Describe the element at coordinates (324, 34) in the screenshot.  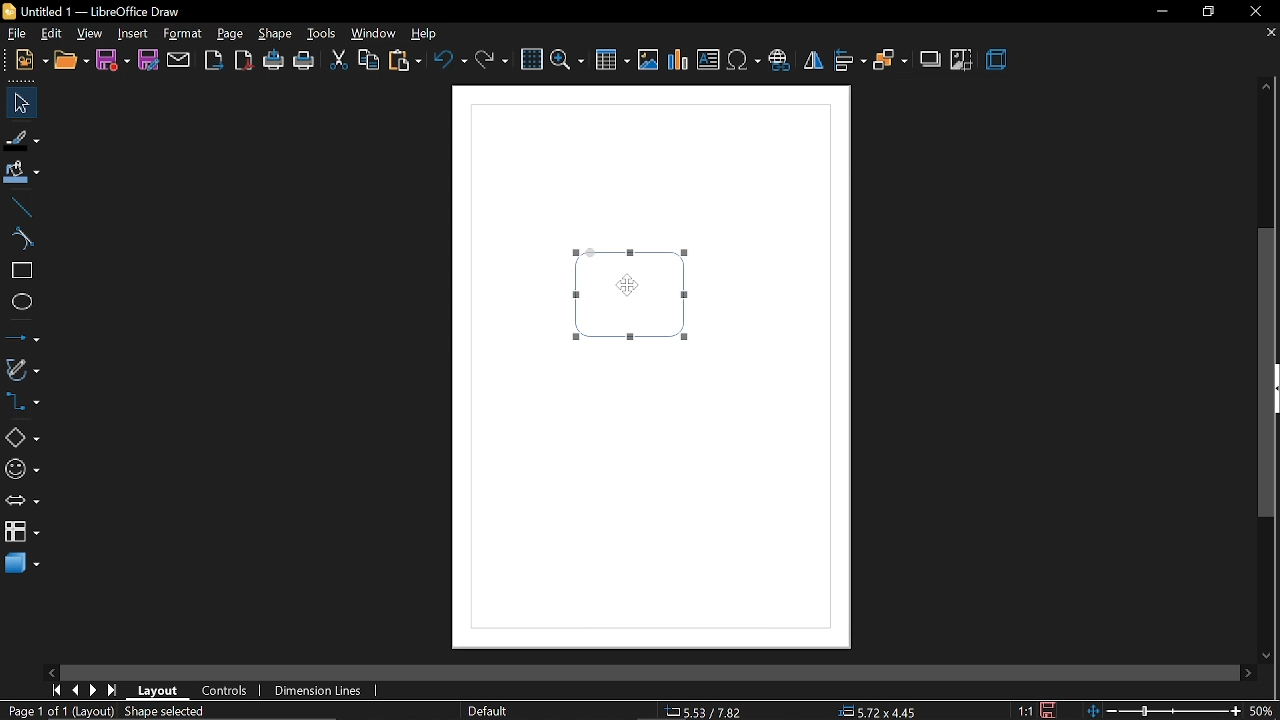
I see `tools` at that location.